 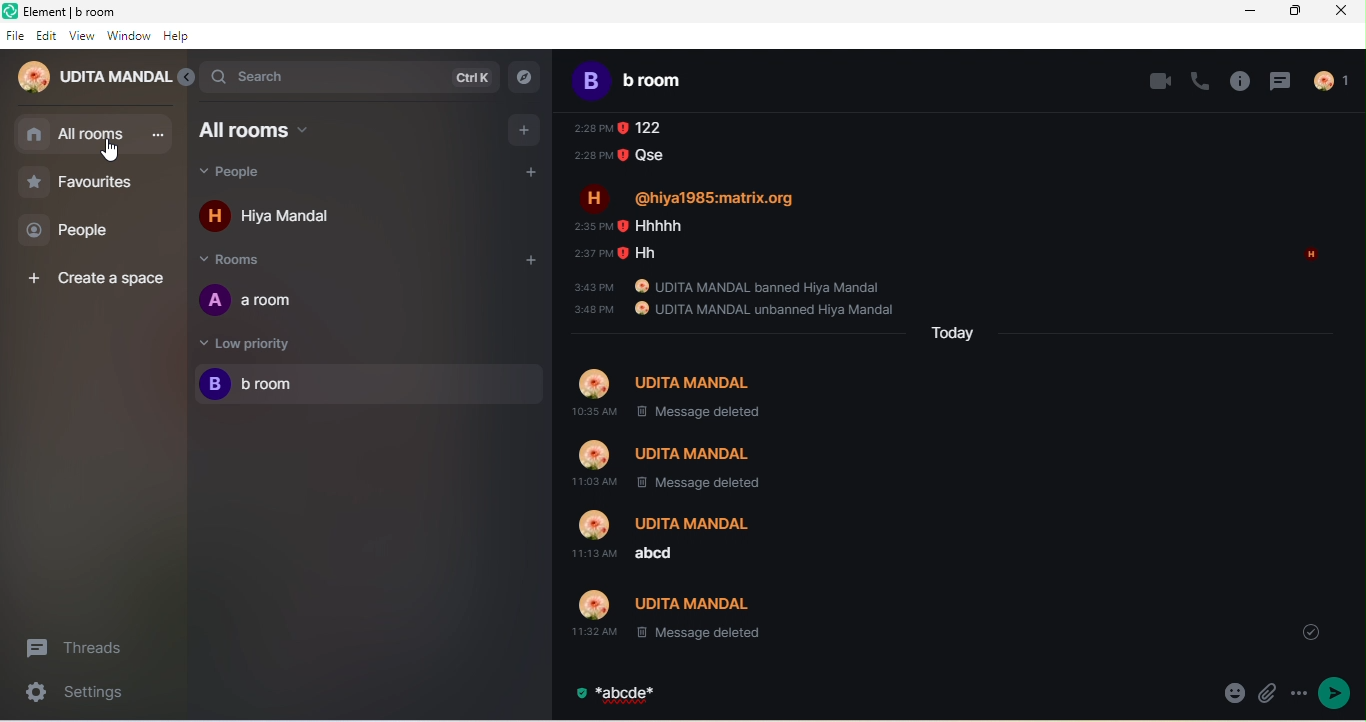 I want to click on window, so click(x=129, y=37).